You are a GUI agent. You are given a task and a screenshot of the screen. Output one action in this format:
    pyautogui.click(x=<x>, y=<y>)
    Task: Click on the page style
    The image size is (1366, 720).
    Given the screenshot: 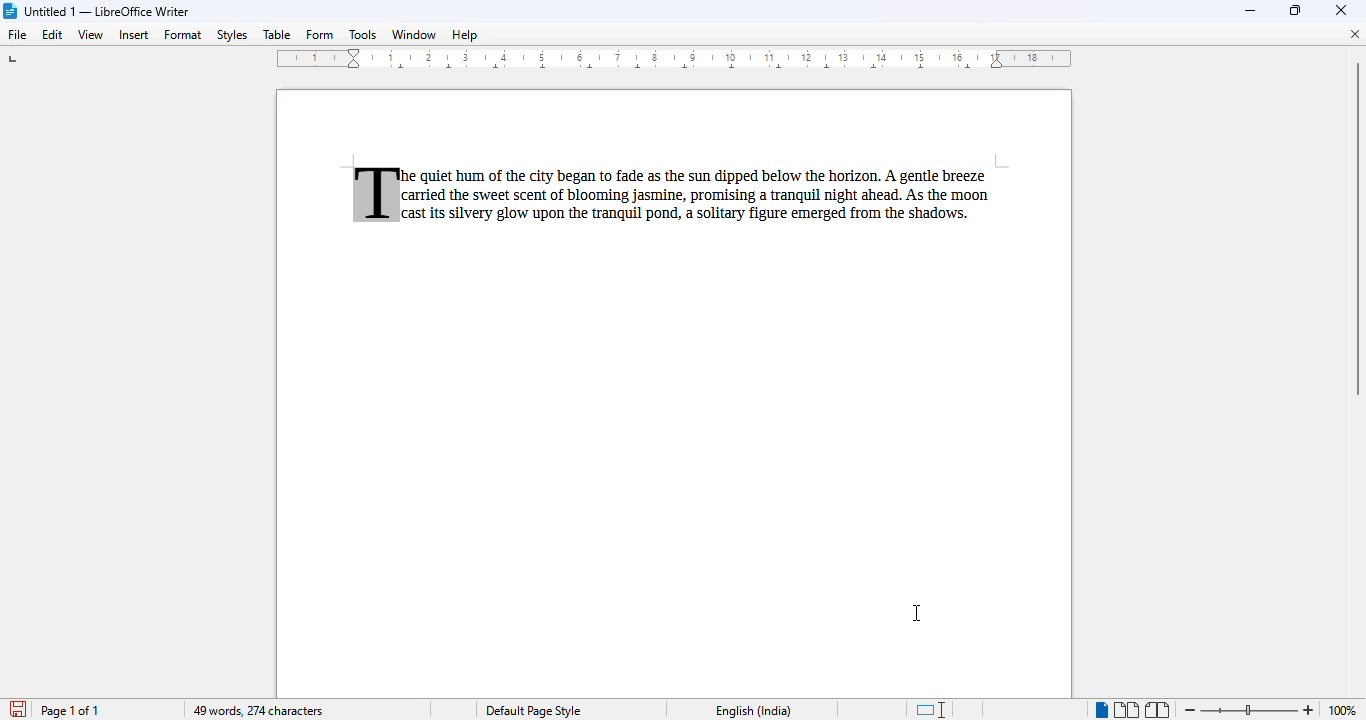 What is the action you would take?
    pyautogui.click(x=533, y=710)
    